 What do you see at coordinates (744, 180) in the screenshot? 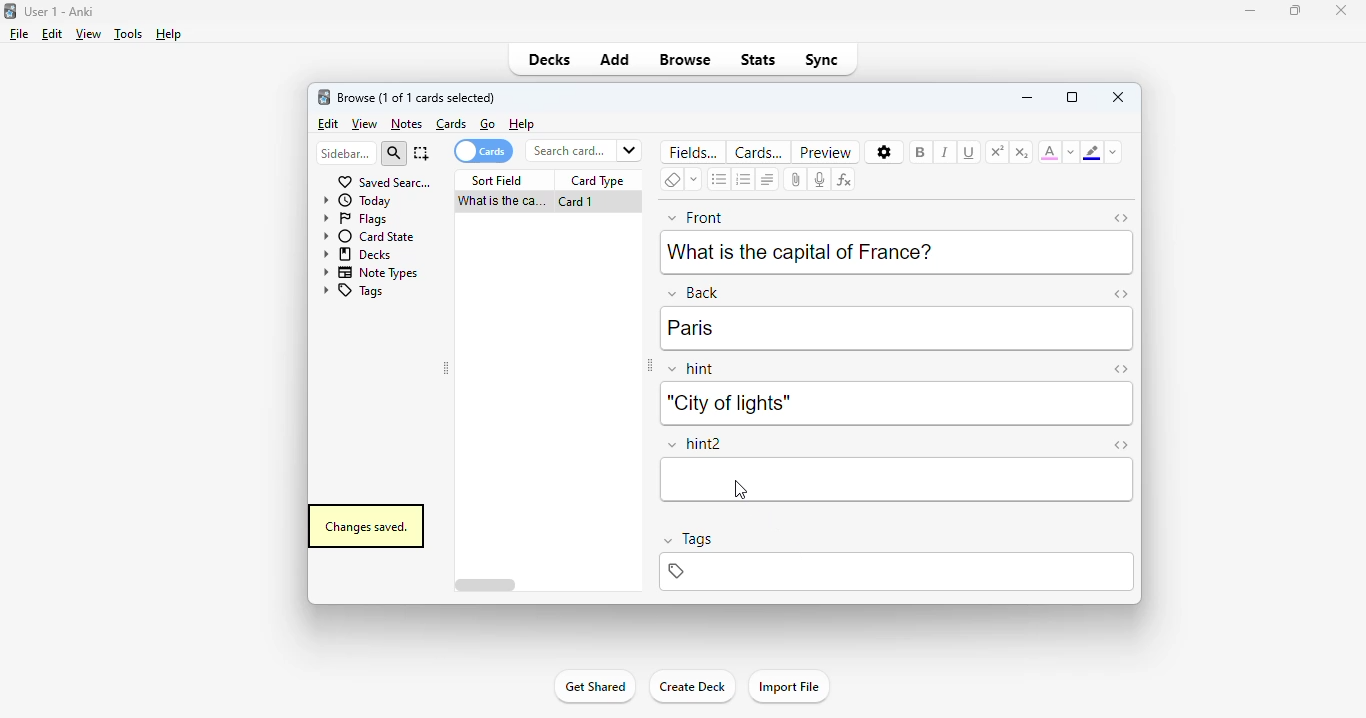
I see `ordered list` at bounding box center [744, 180].